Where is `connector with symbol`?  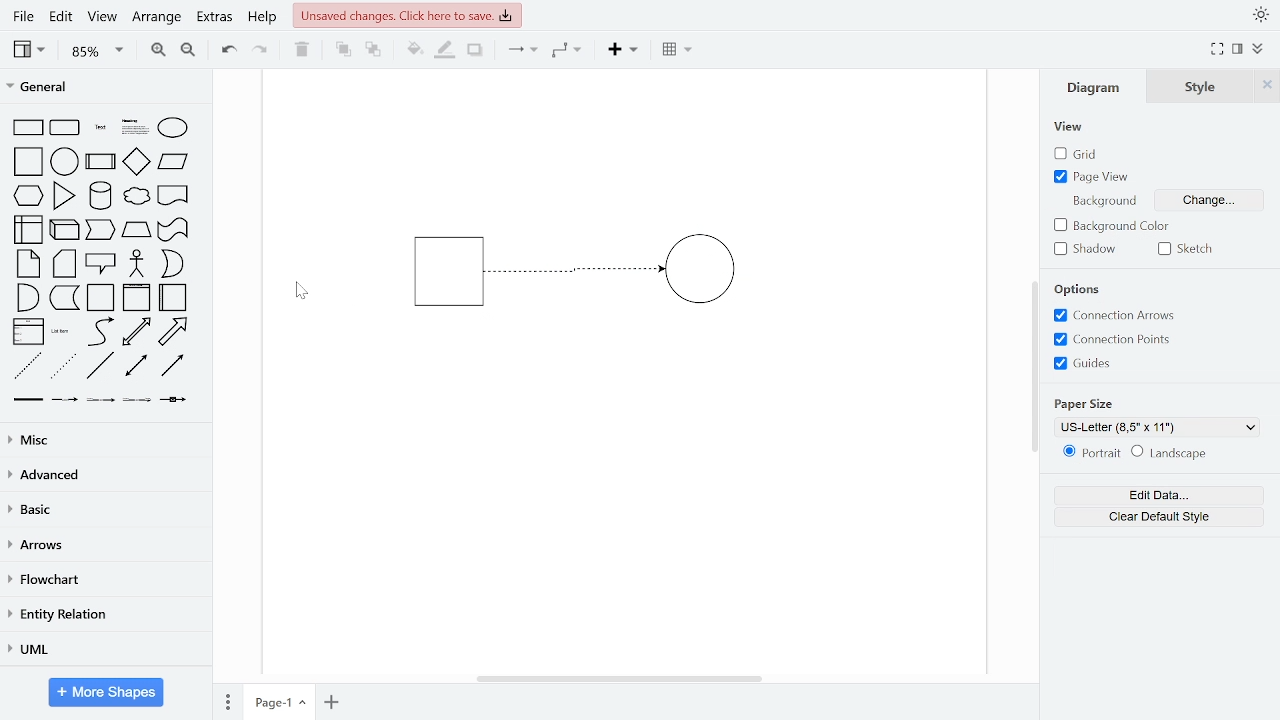 connector with symbol is located at coordinates (176, 398).